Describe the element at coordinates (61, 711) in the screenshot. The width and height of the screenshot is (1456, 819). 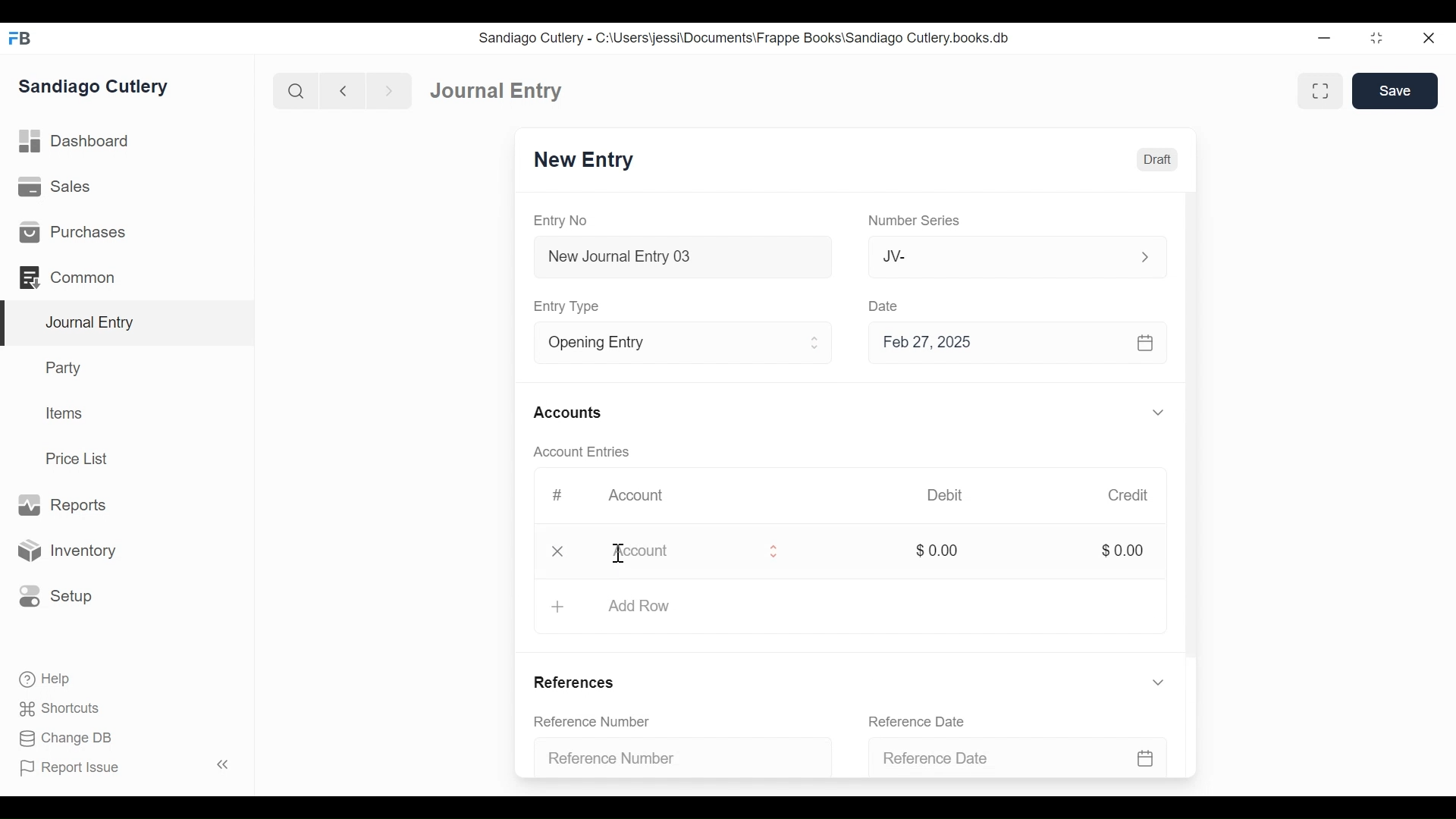
I see `Shortcuts` at that location.